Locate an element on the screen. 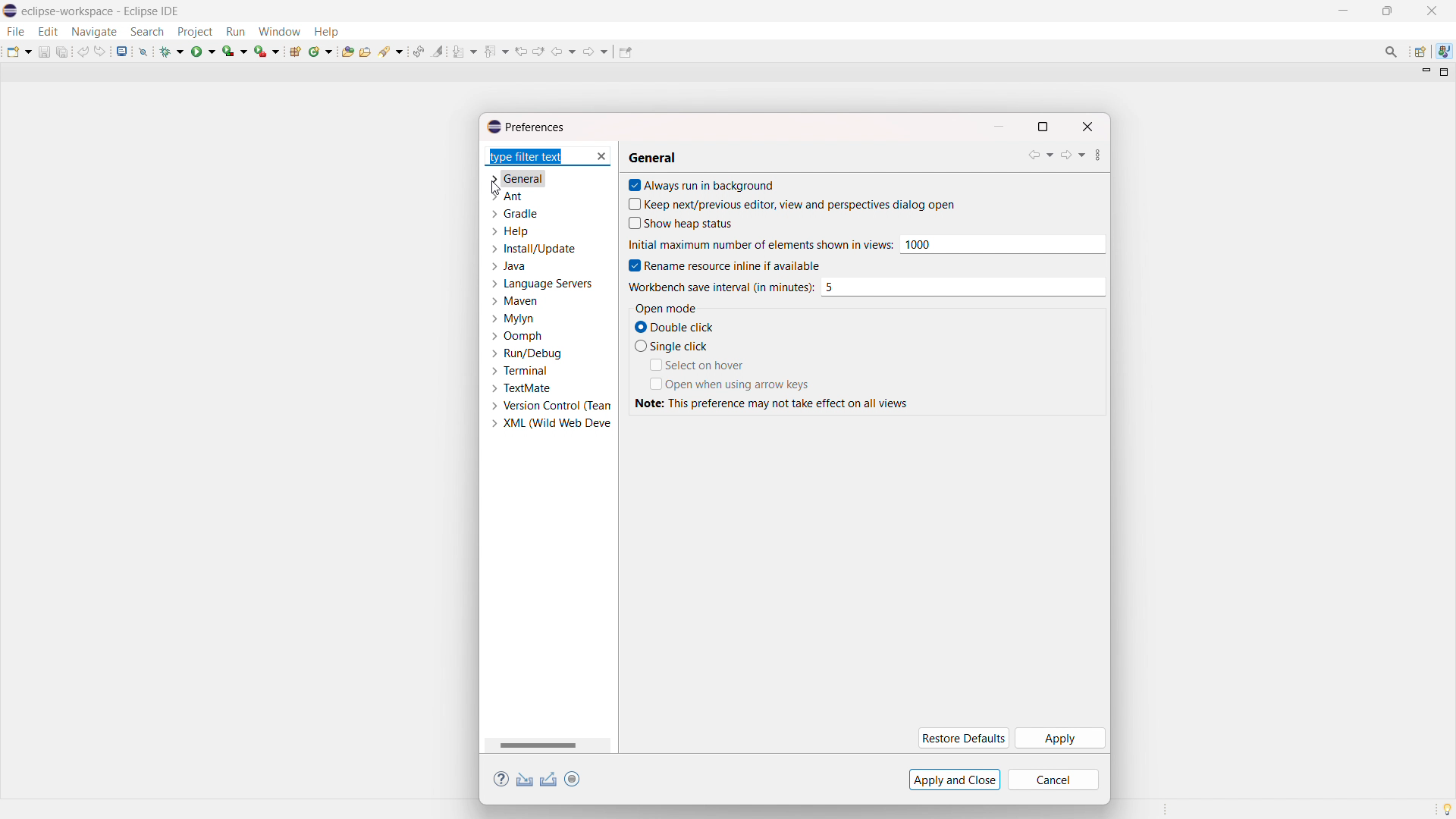 Image resolution: width=1456 pixels, height=819 pixels. run is located at coordinates (203, 51).